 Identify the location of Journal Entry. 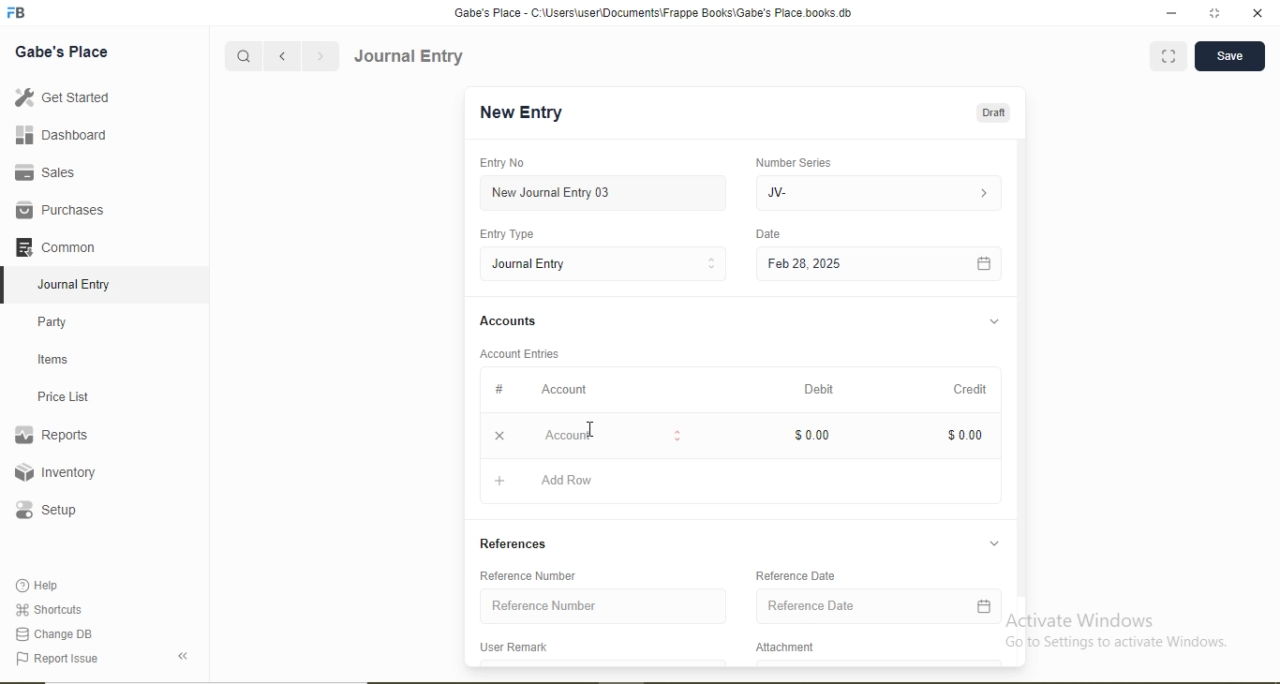
(410, 56).